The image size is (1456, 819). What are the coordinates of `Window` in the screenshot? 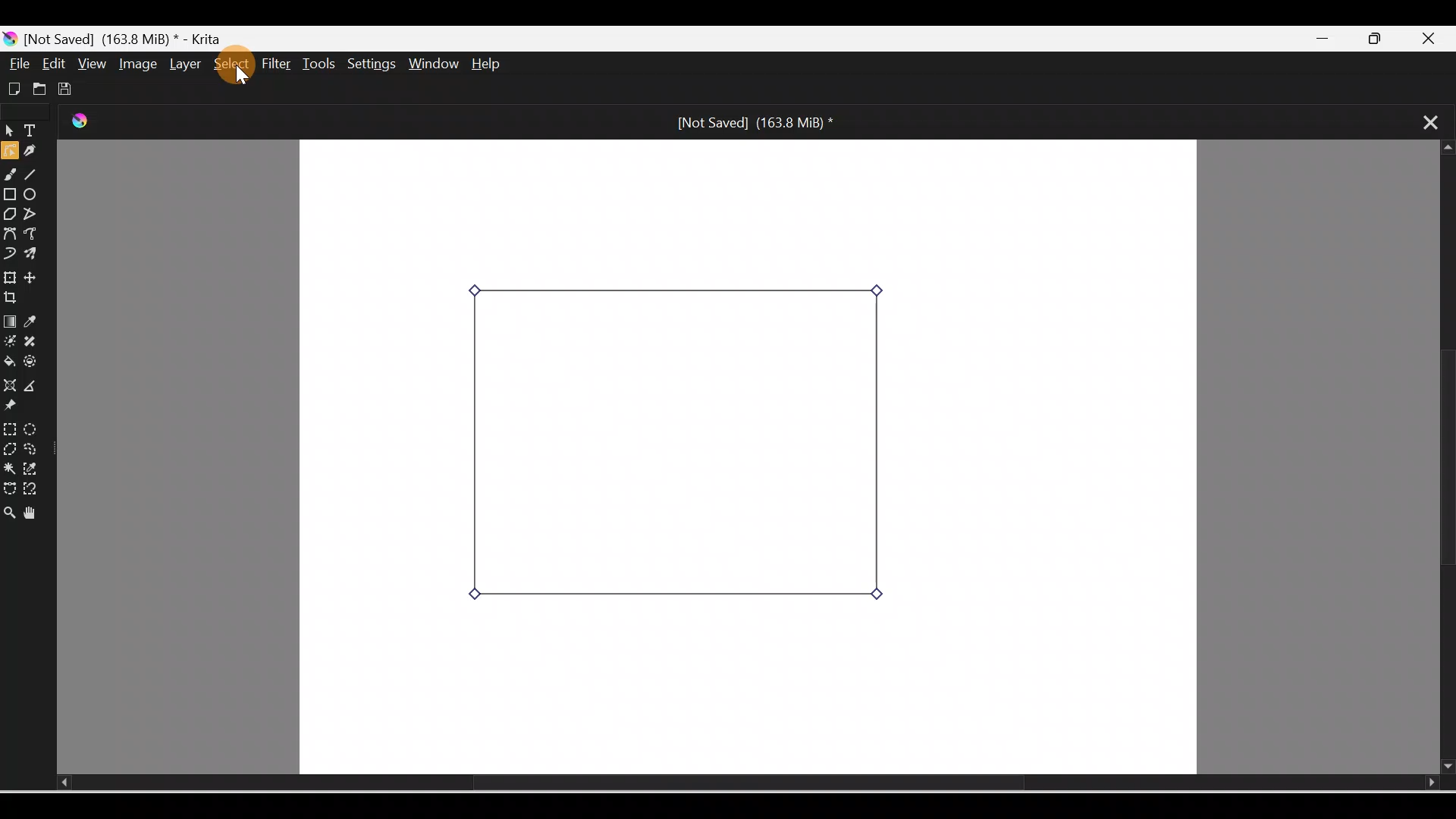 It's located at (436, 65).